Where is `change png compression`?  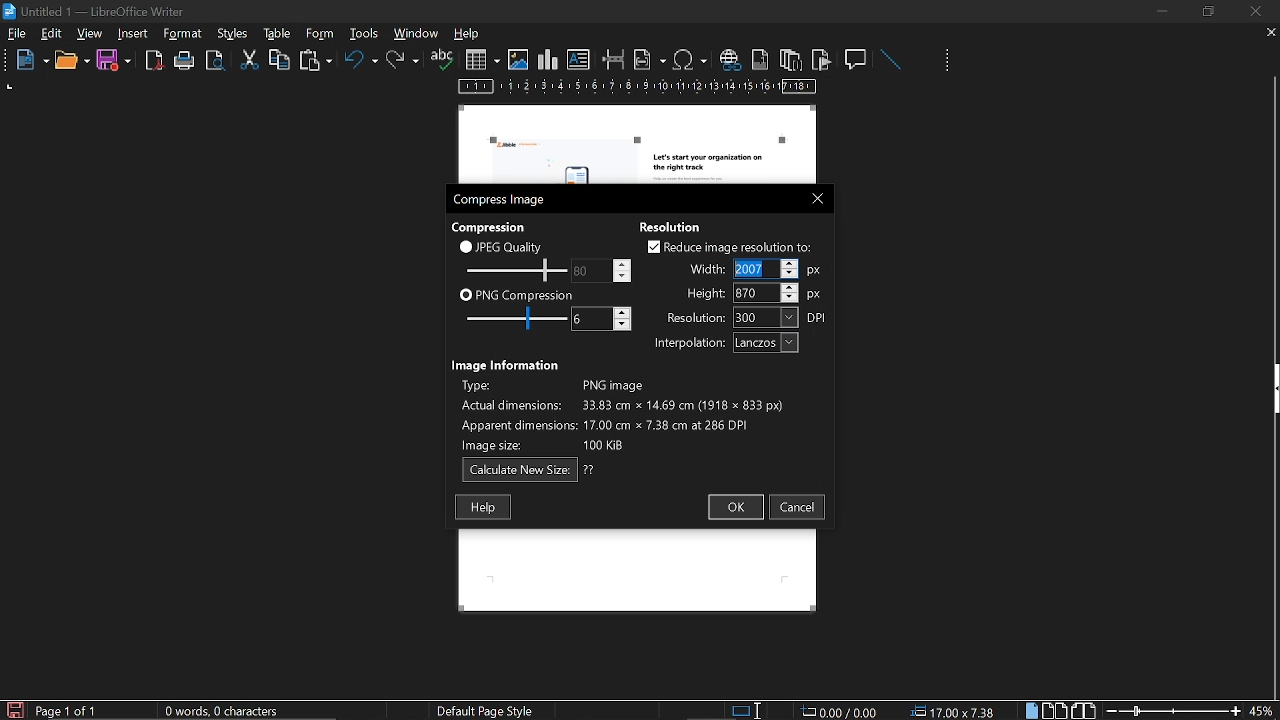 change png compression is located at coordinates (601, 319).